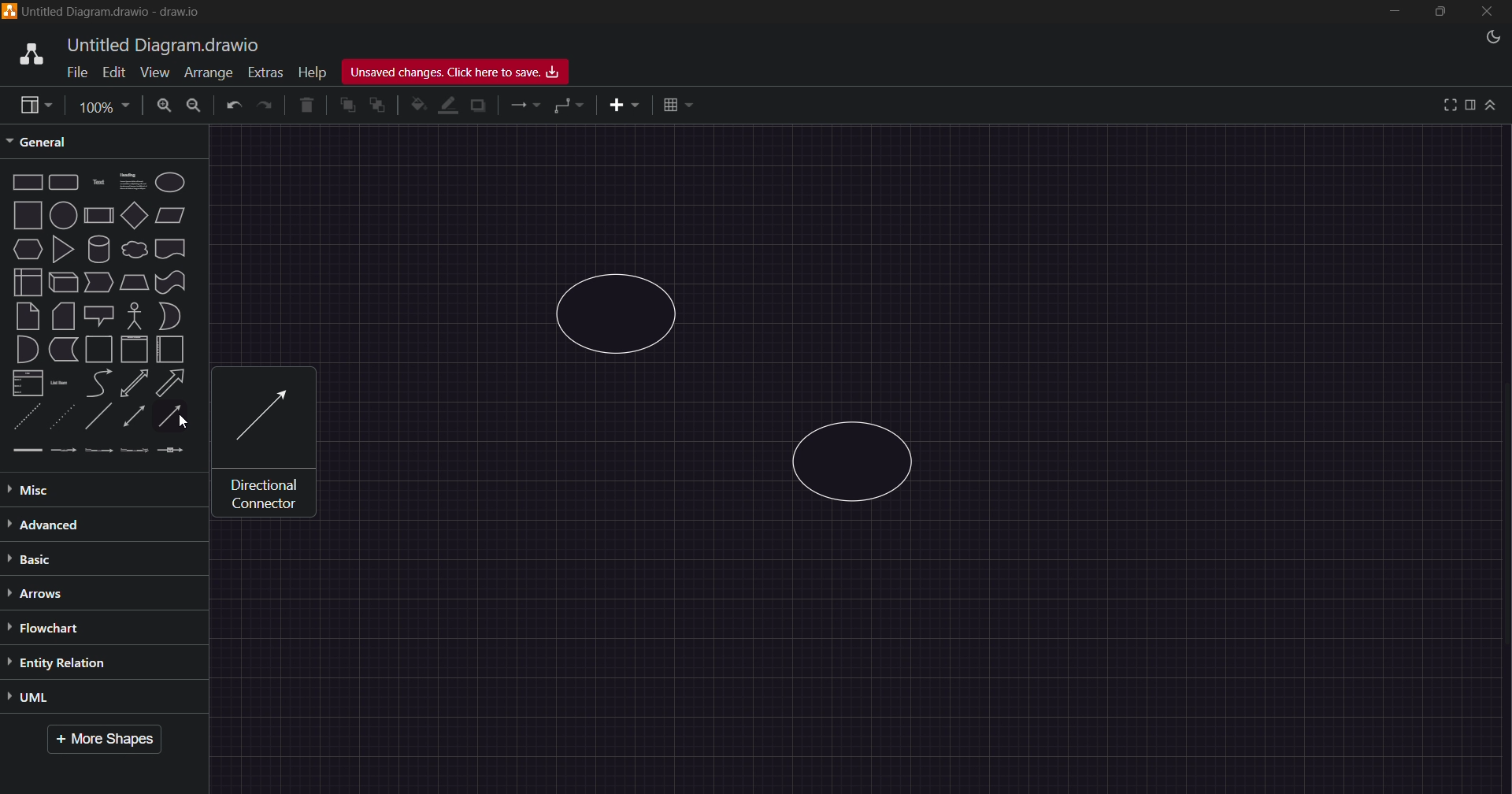 The height and width of the screenshot is (794, 1512). What do you see at coordinates (375, 106) in the screenshot?
I see `to back` at bounding box center [375, 106].